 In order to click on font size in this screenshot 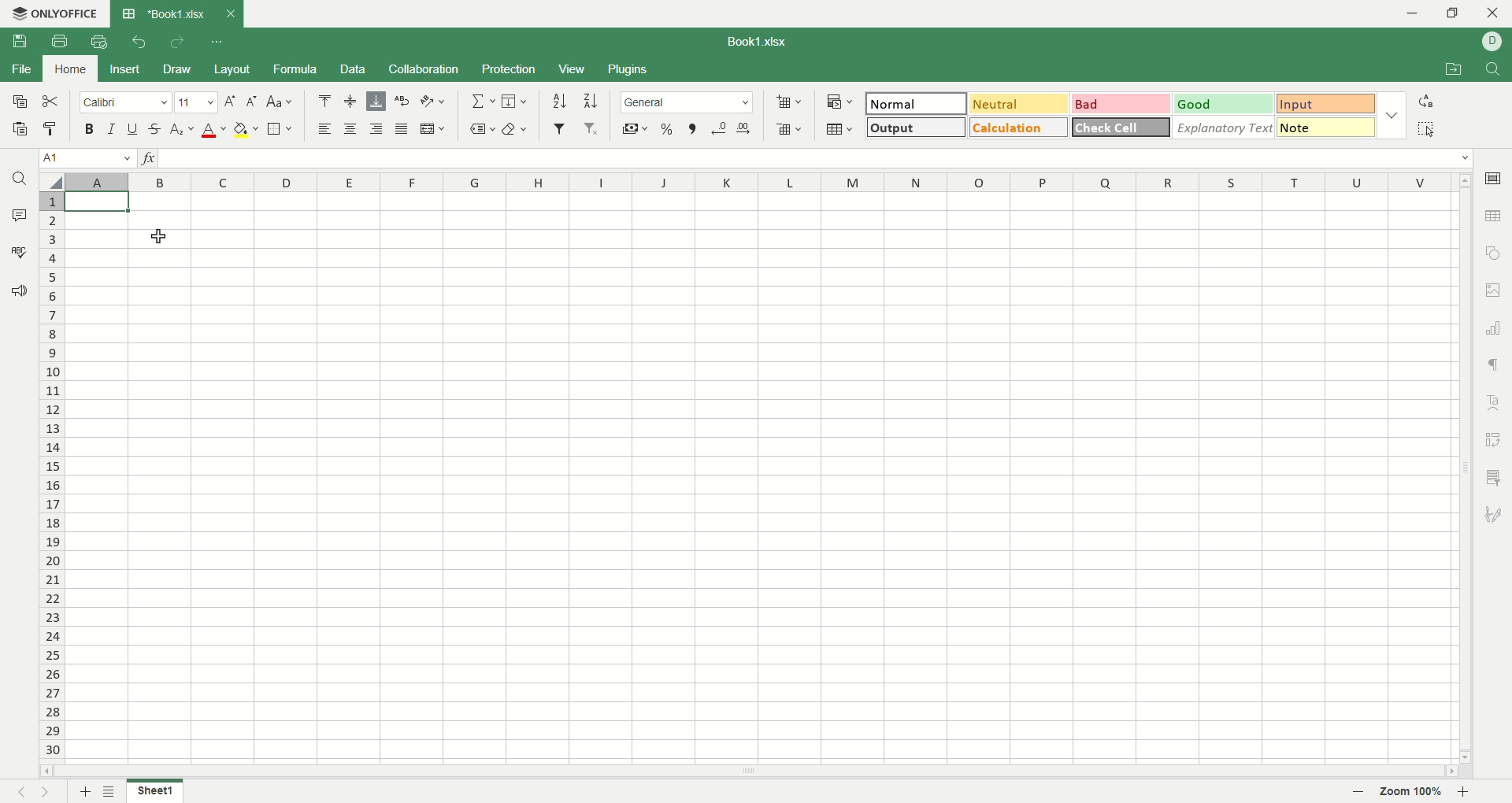, I will do `click(198, 102)`.